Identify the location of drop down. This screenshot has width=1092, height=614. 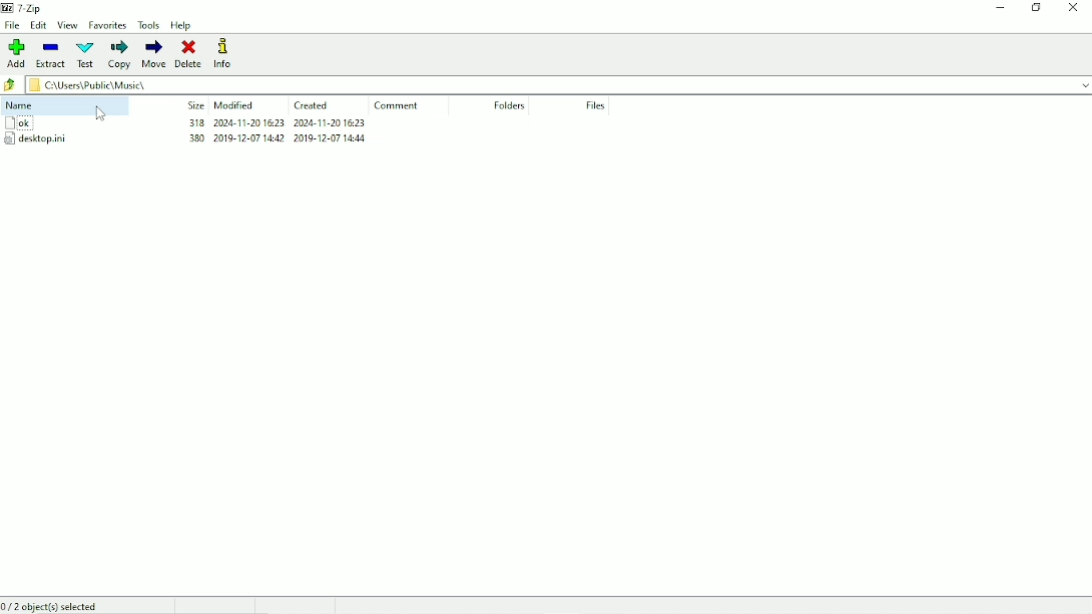
(1079, 84).